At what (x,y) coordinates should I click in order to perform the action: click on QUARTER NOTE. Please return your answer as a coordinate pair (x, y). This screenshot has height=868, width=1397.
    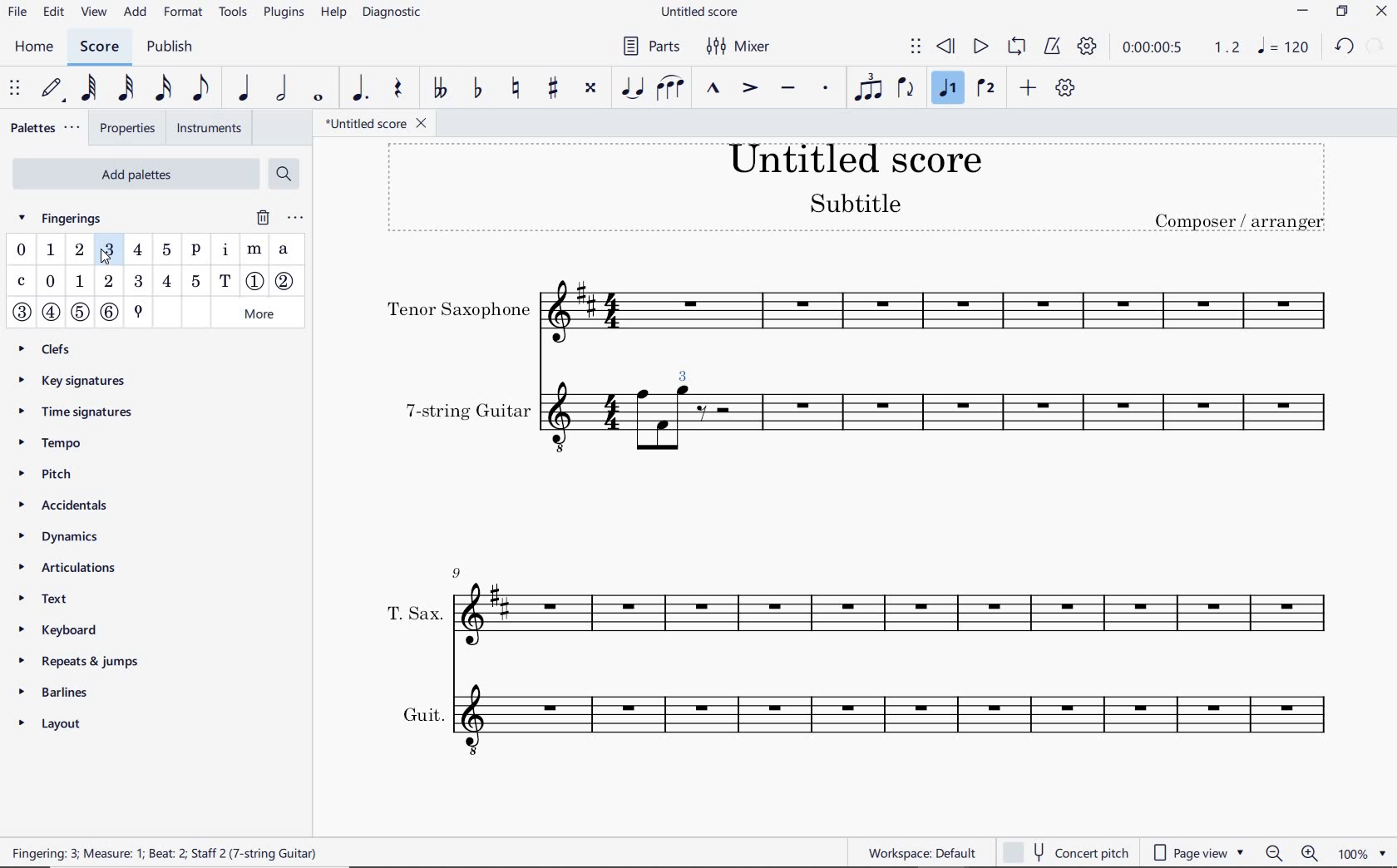
    Looking at the image, I should click on (246, 89).